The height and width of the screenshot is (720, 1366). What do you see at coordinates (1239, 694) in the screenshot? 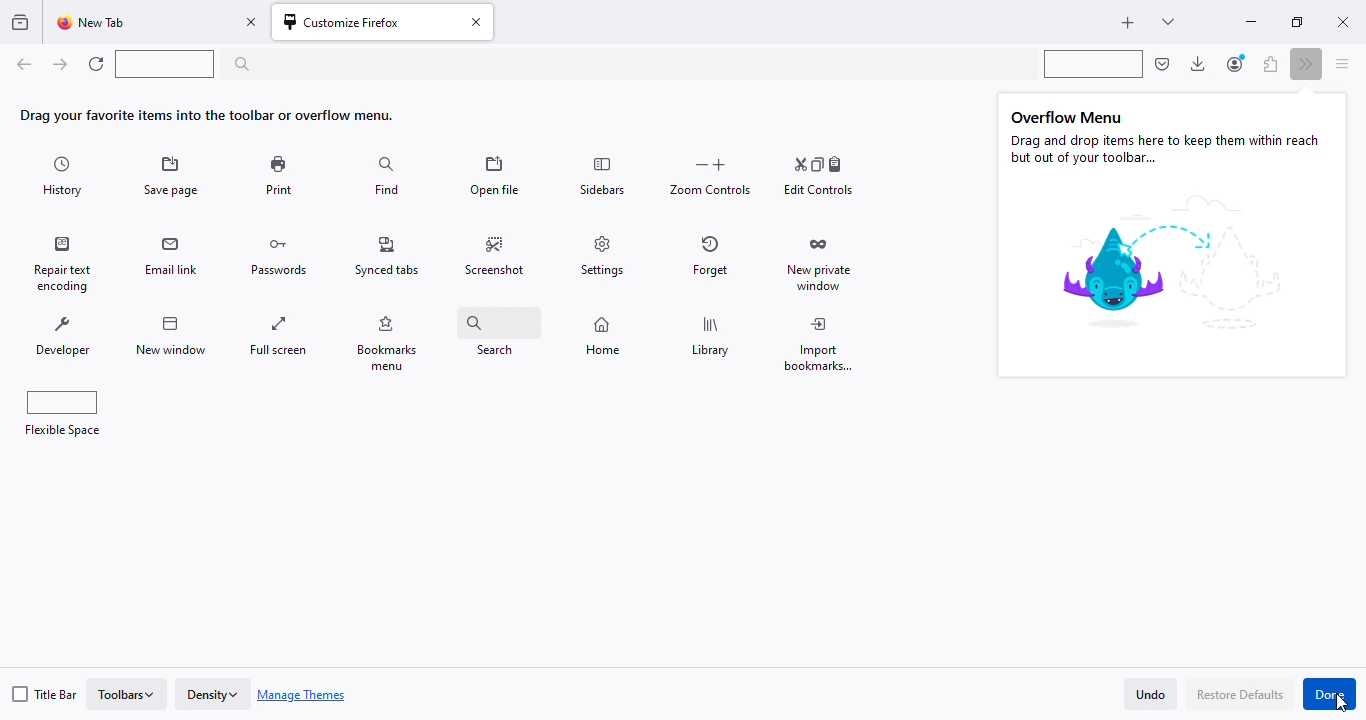
I see `restore defaults` at bounding box center [1239, 694].